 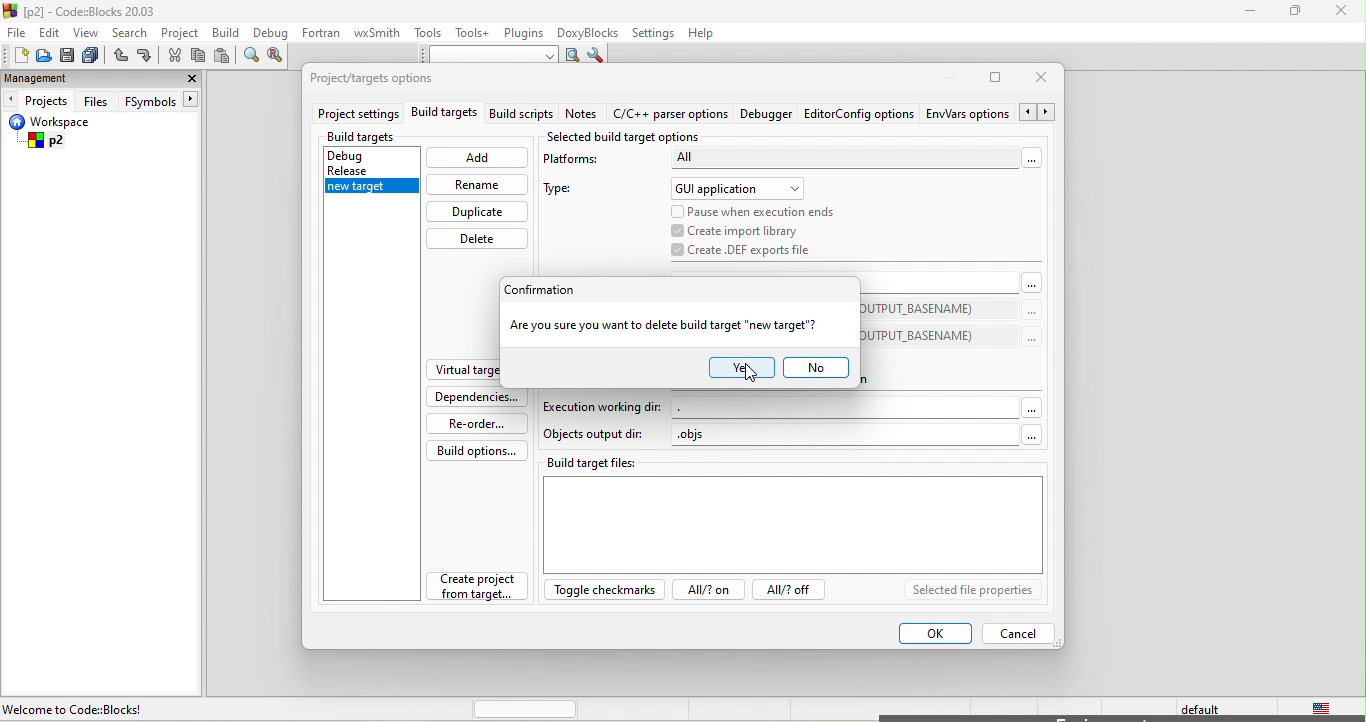 What do you see at coordinates (199, 56) in the screenshot?
I see `copy` at bounding box center [199, 56].